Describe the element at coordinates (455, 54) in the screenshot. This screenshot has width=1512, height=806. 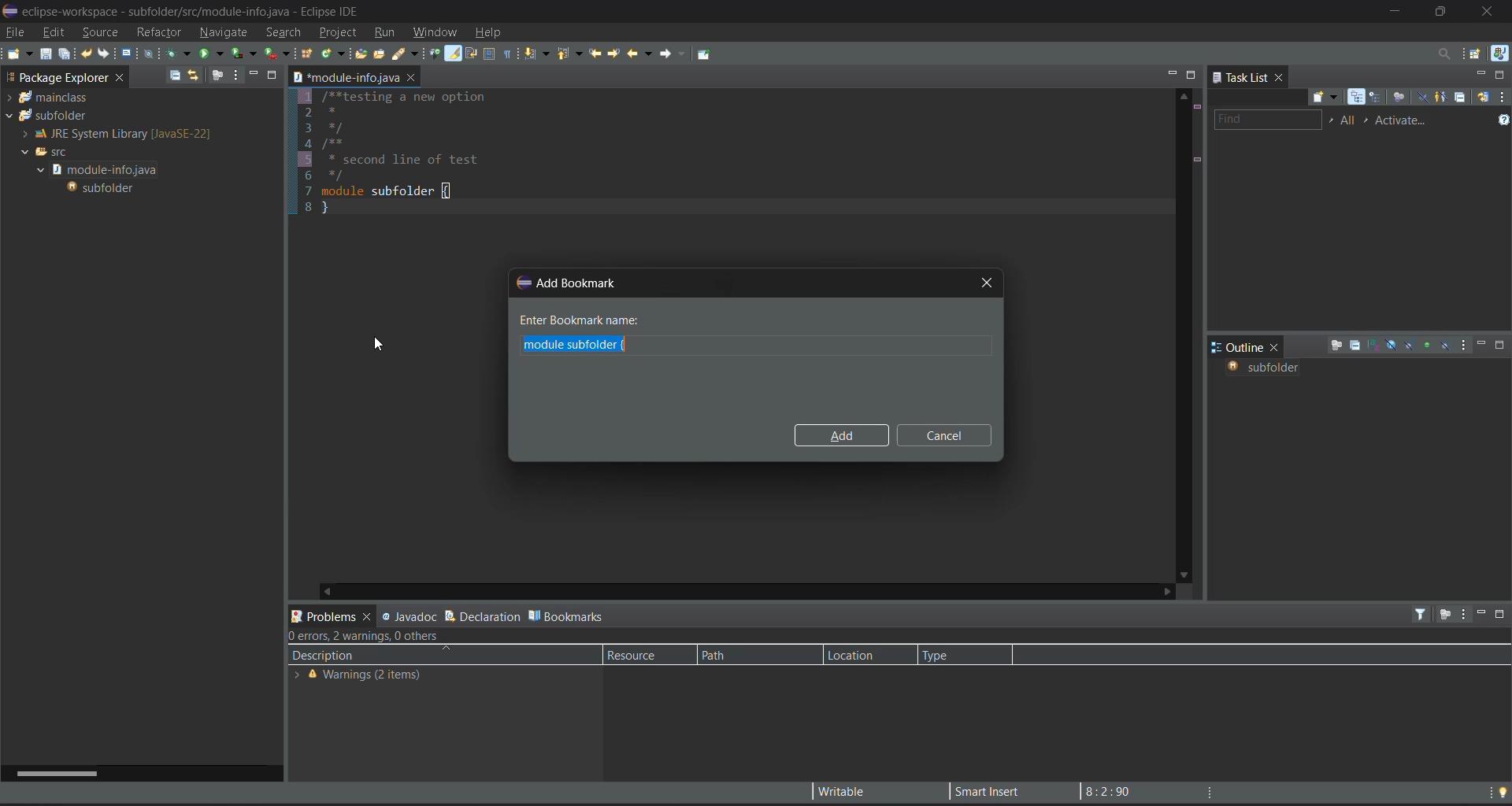
I see `toggle mark occurences` at that location.